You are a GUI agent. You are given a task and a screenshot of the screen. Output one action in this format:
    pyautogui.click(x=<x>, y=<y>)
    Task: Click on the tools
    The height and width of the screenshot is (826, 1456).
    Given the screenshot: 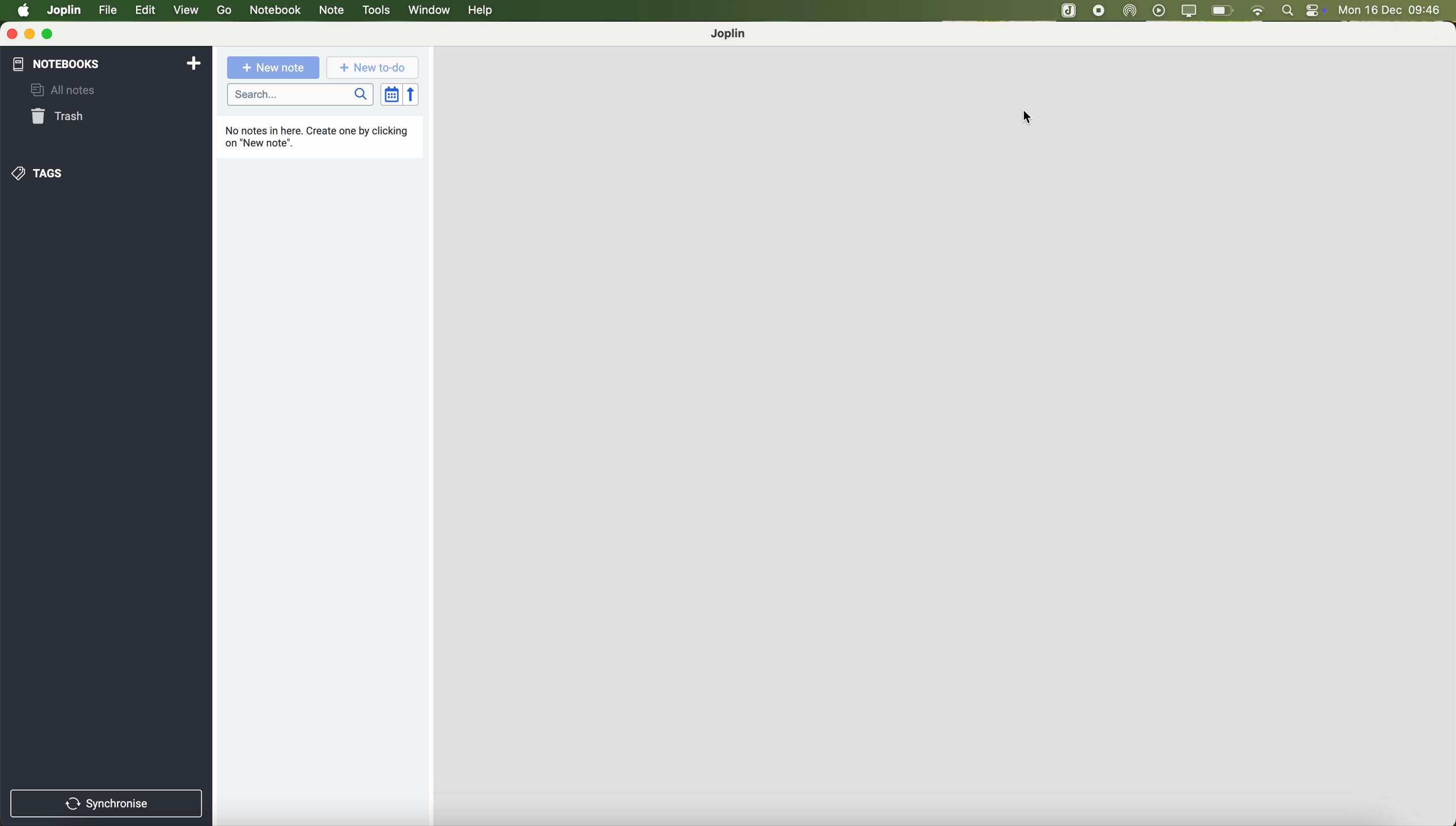 What is the action you would take?
    pyautogui.click(x=375, y=11)
    